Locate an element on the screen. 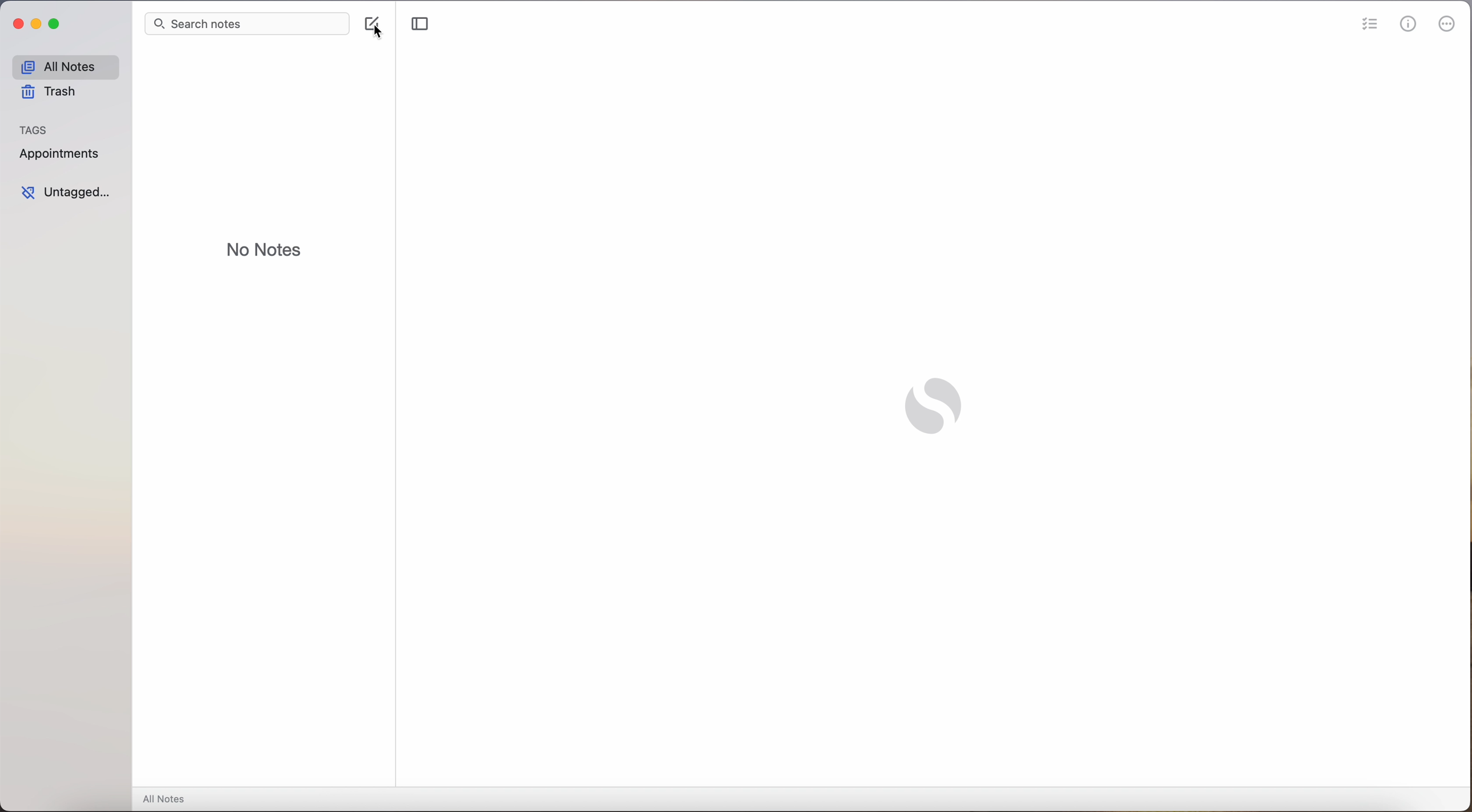  toggle sidebar is located at coordinates (419, 25).